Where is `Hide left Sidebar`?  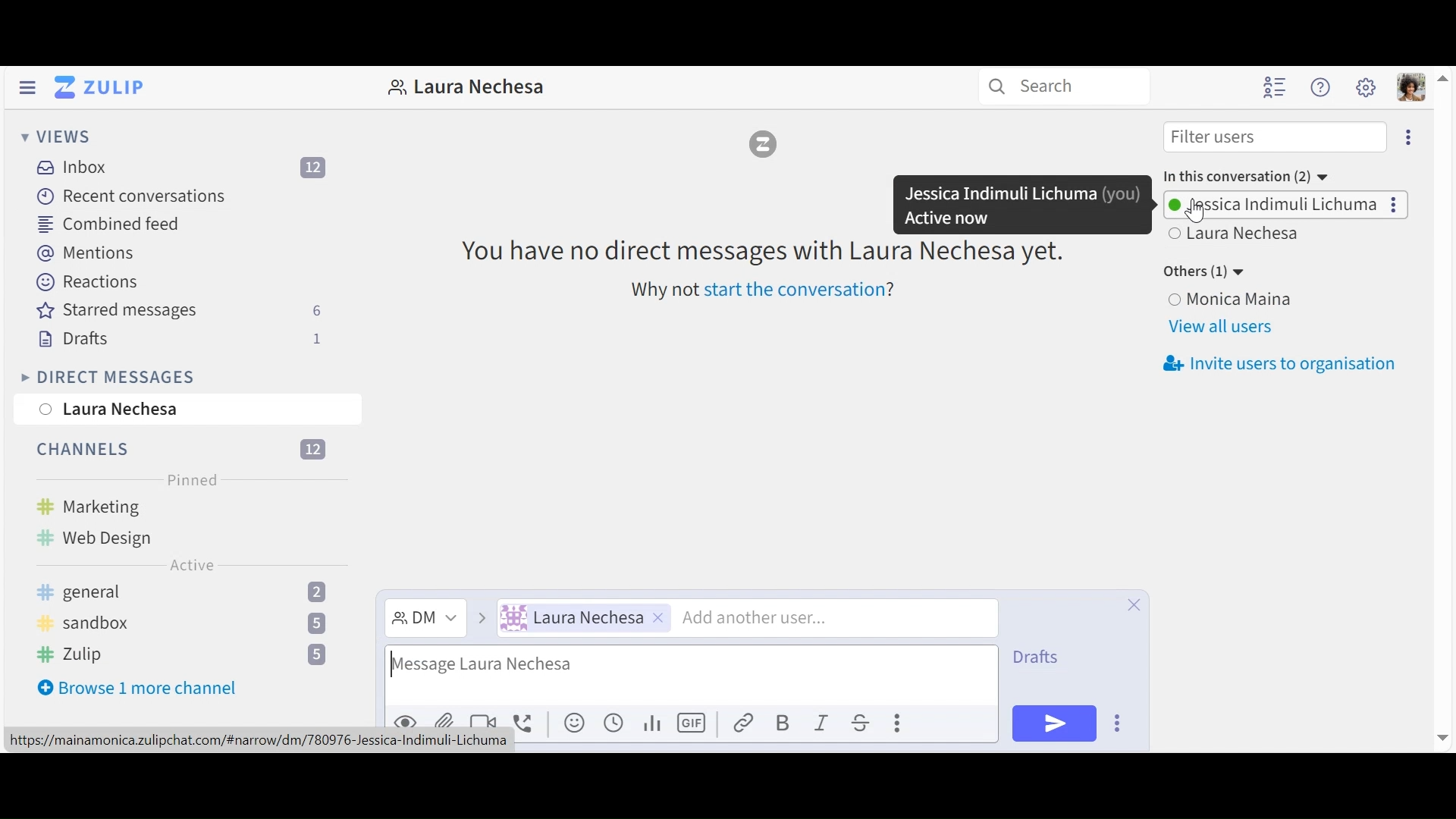
Hide left Sidebar is located at coordinates (29, 87).